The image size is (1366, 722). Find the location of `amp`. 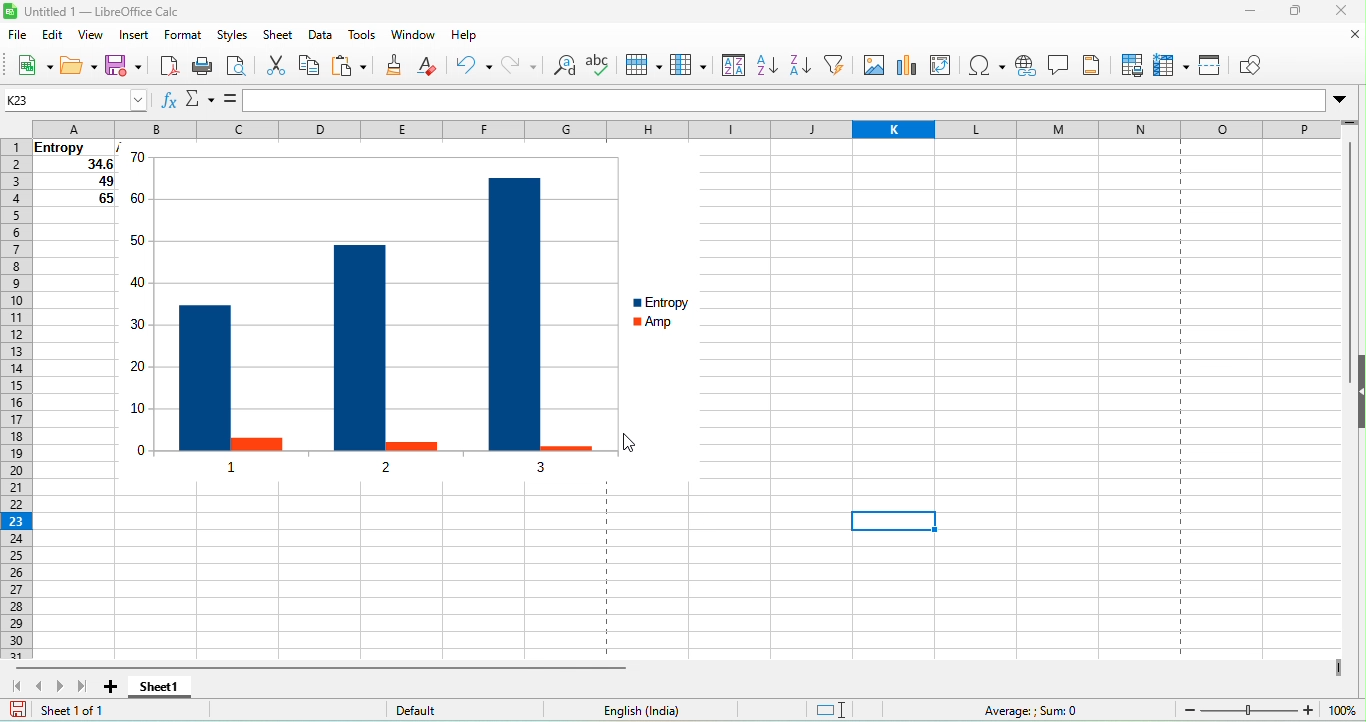

amp is located at coordinates (674, 326).